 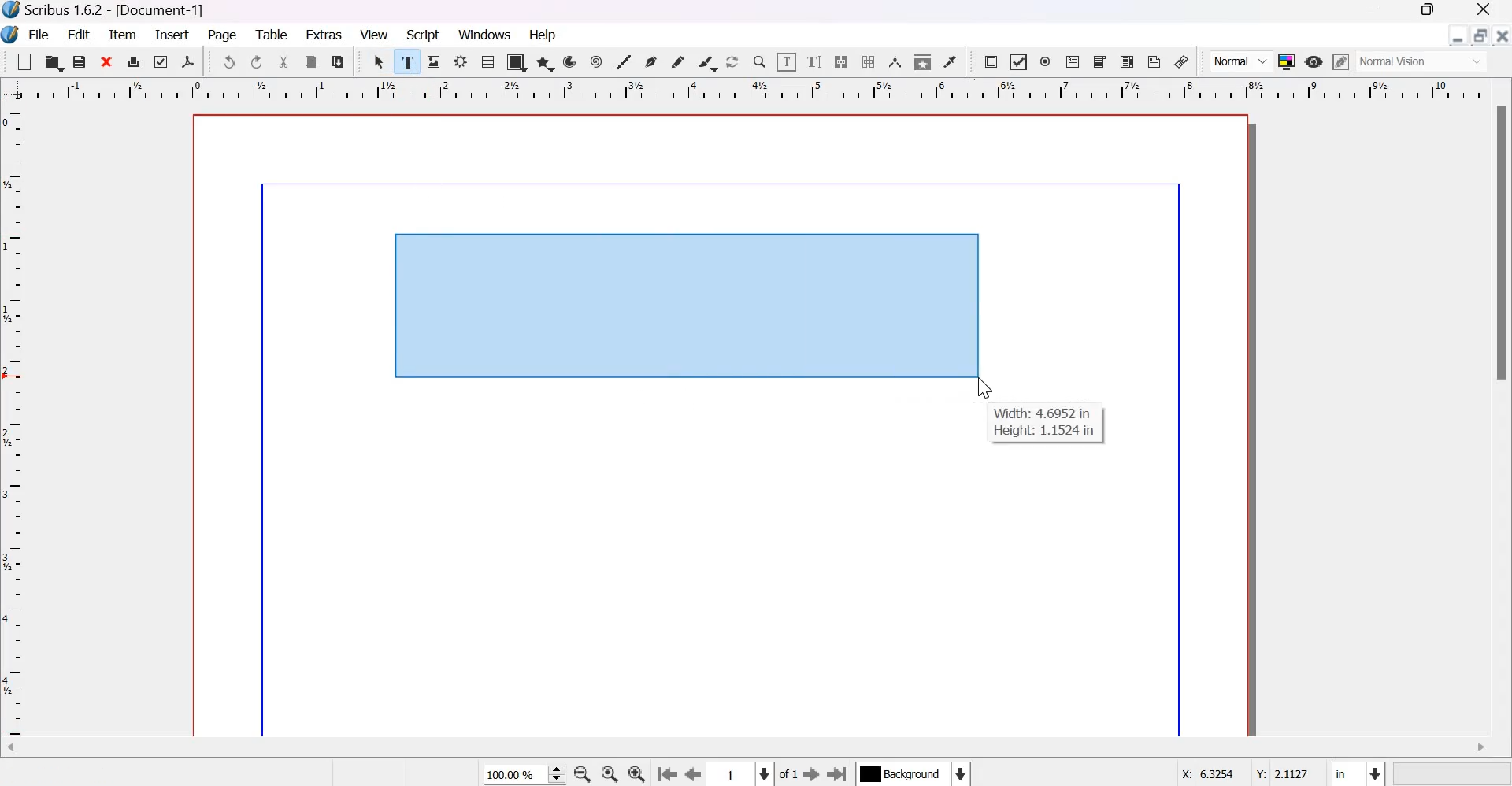 What do you see at coordinates (110, 11) in the screenshot?
I see `Scribus 1.6.2 - [Document-1]` at bounding box center [110, 11].